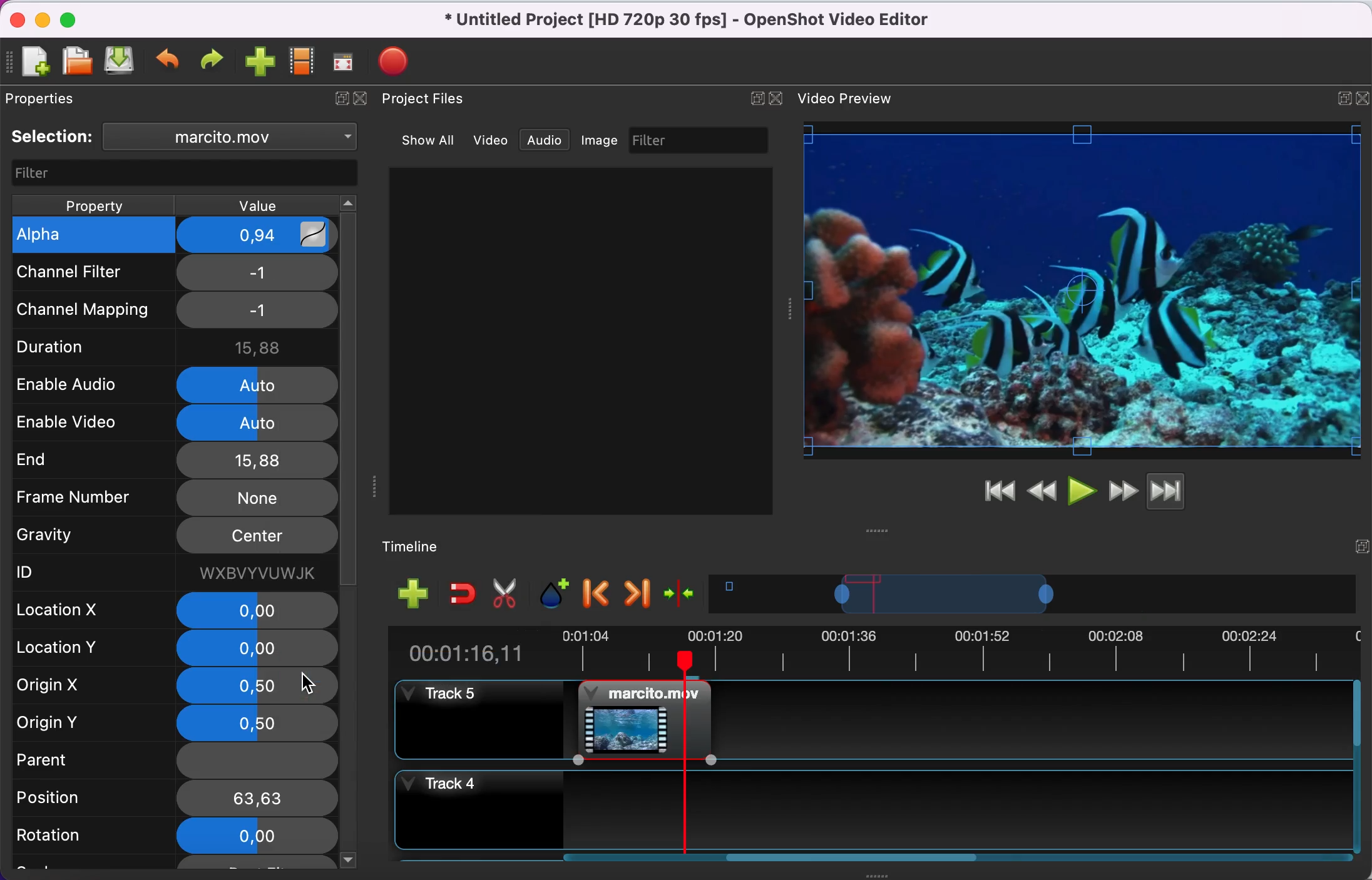 This screenshot has width=1372, height=880. Describe the element at coordinates (72, 611) in the screenshot. I see `Location X` at that location.